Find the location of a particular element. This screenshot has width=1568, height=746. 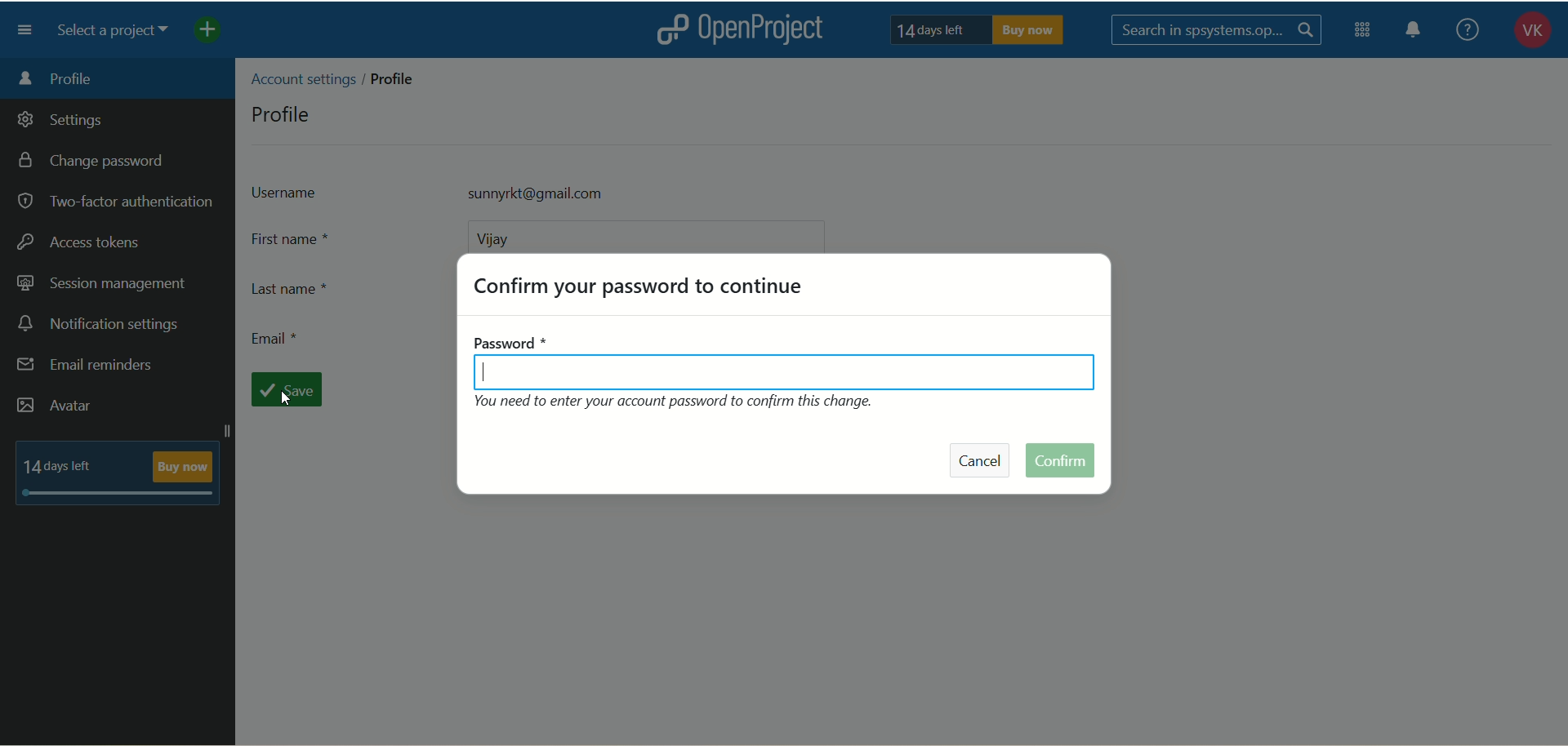

save is located at coordinates (292, 391).